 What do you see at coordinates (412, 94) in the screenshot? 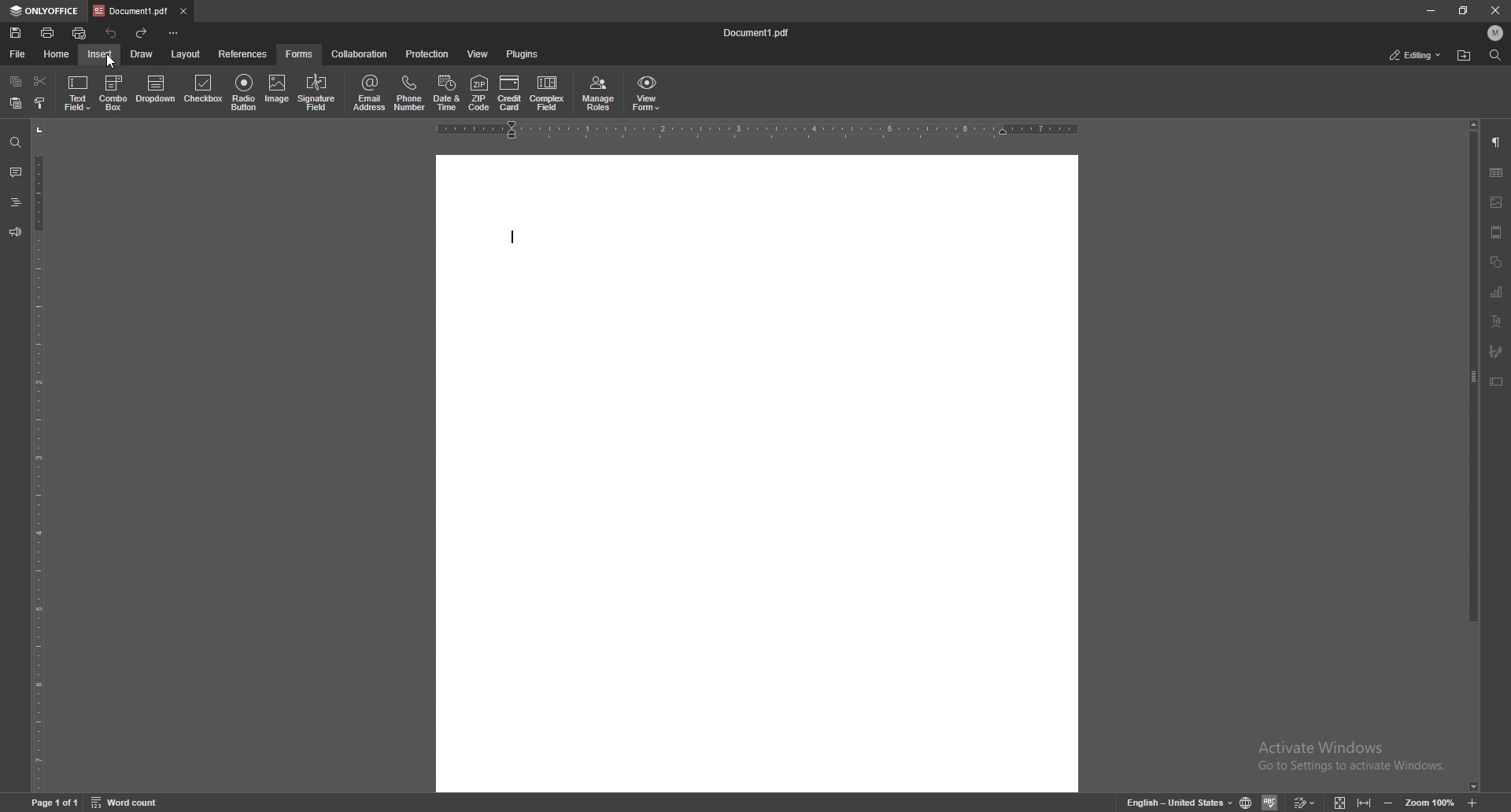
I see `phone number` at bounding box center [412, 94].